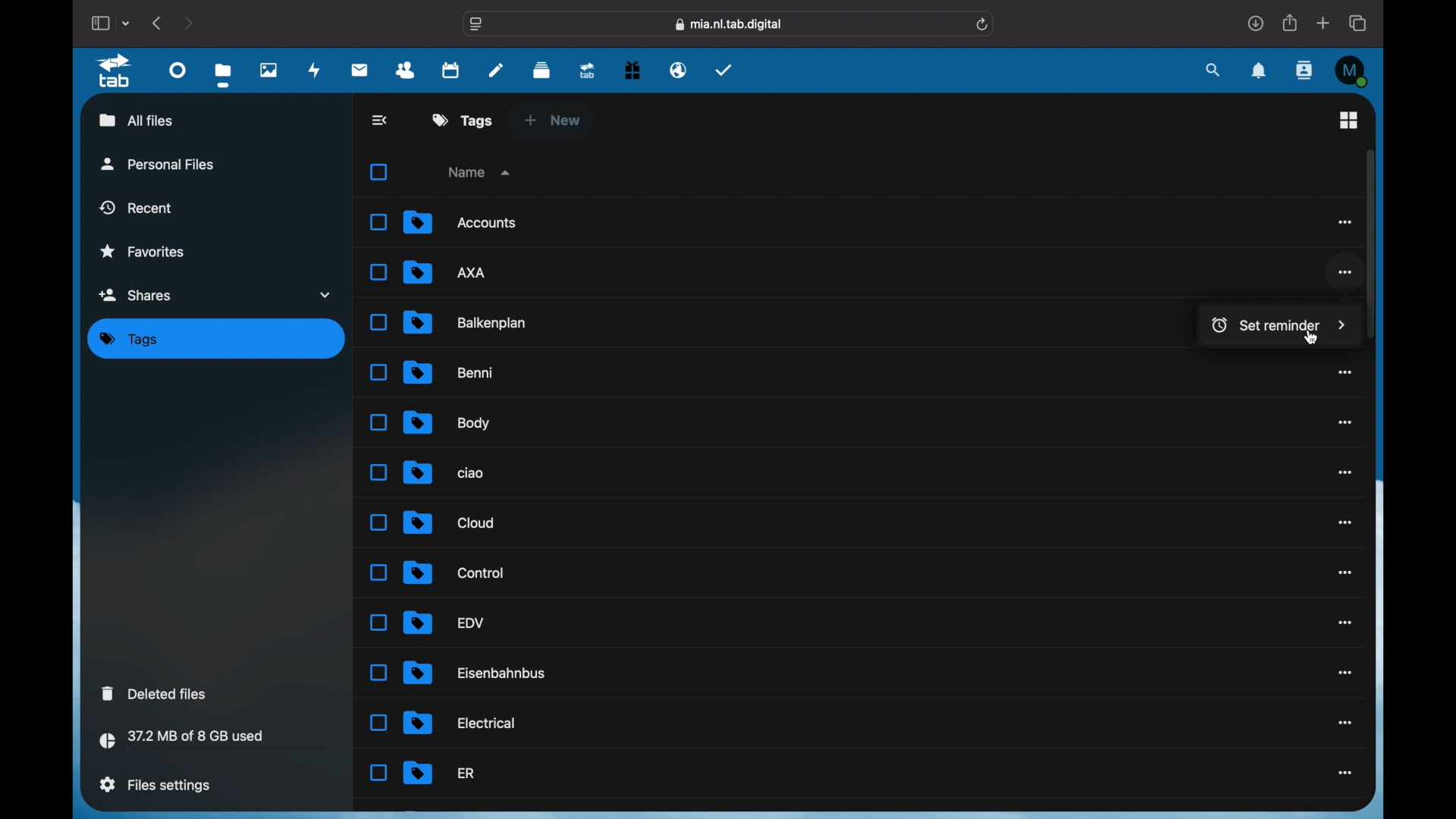 This screenshot has width=1456, height=819. Describe the element at coordinates (1346, 422) in the screenshot. I see `moreoptions` at that location.